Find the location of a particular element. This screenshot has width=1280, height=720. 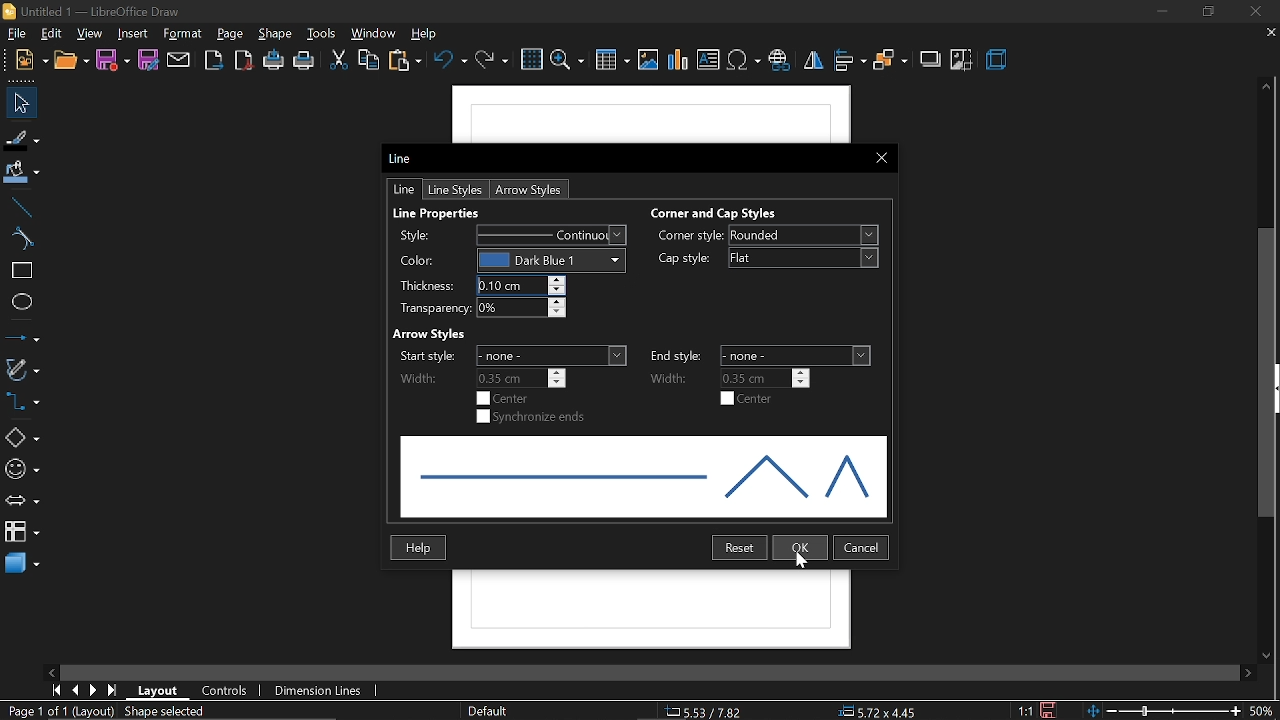

center is located at coordinates (749, 399).